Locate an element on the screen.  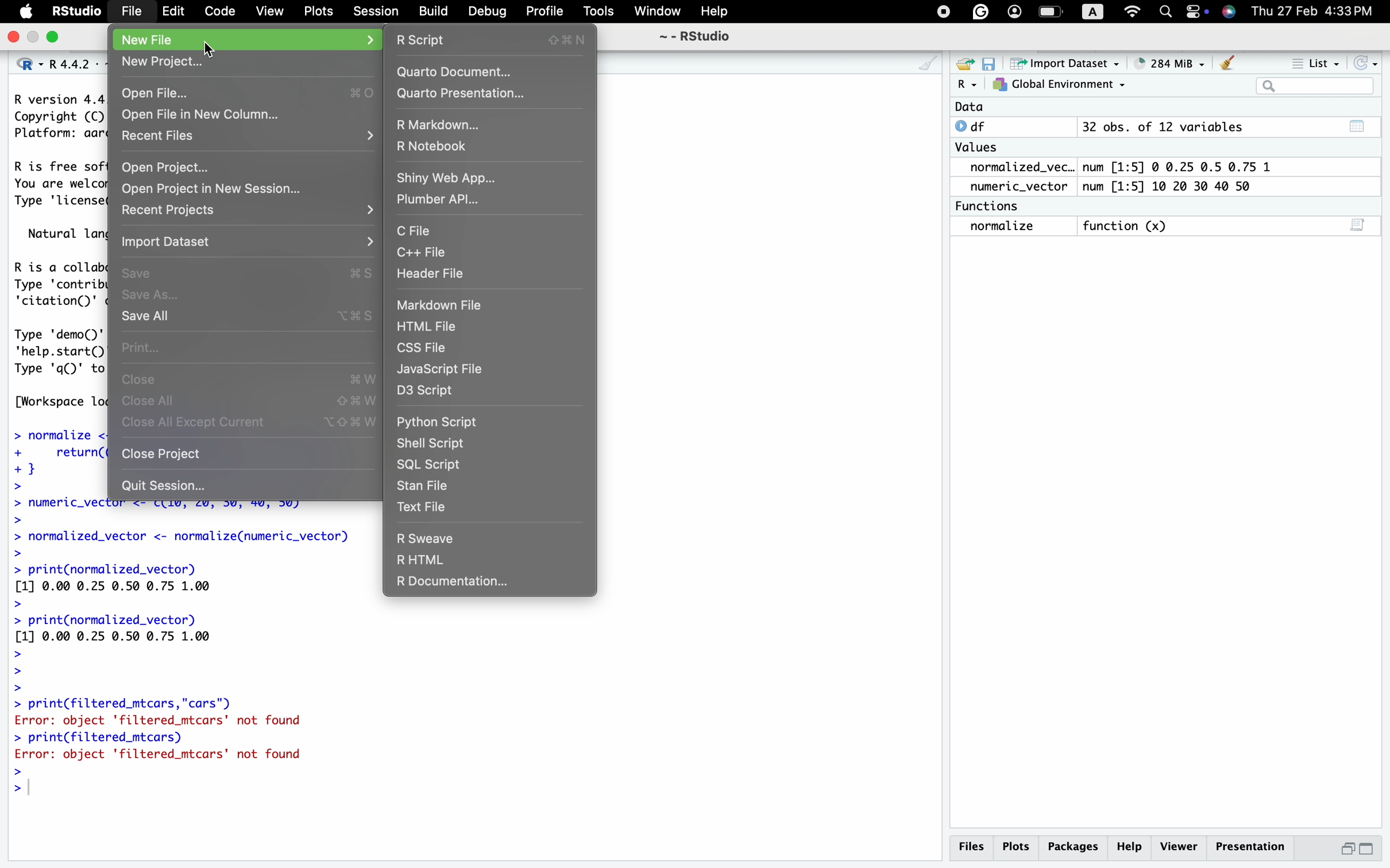
Open File in New Column... is located at coordinates (203, 114).